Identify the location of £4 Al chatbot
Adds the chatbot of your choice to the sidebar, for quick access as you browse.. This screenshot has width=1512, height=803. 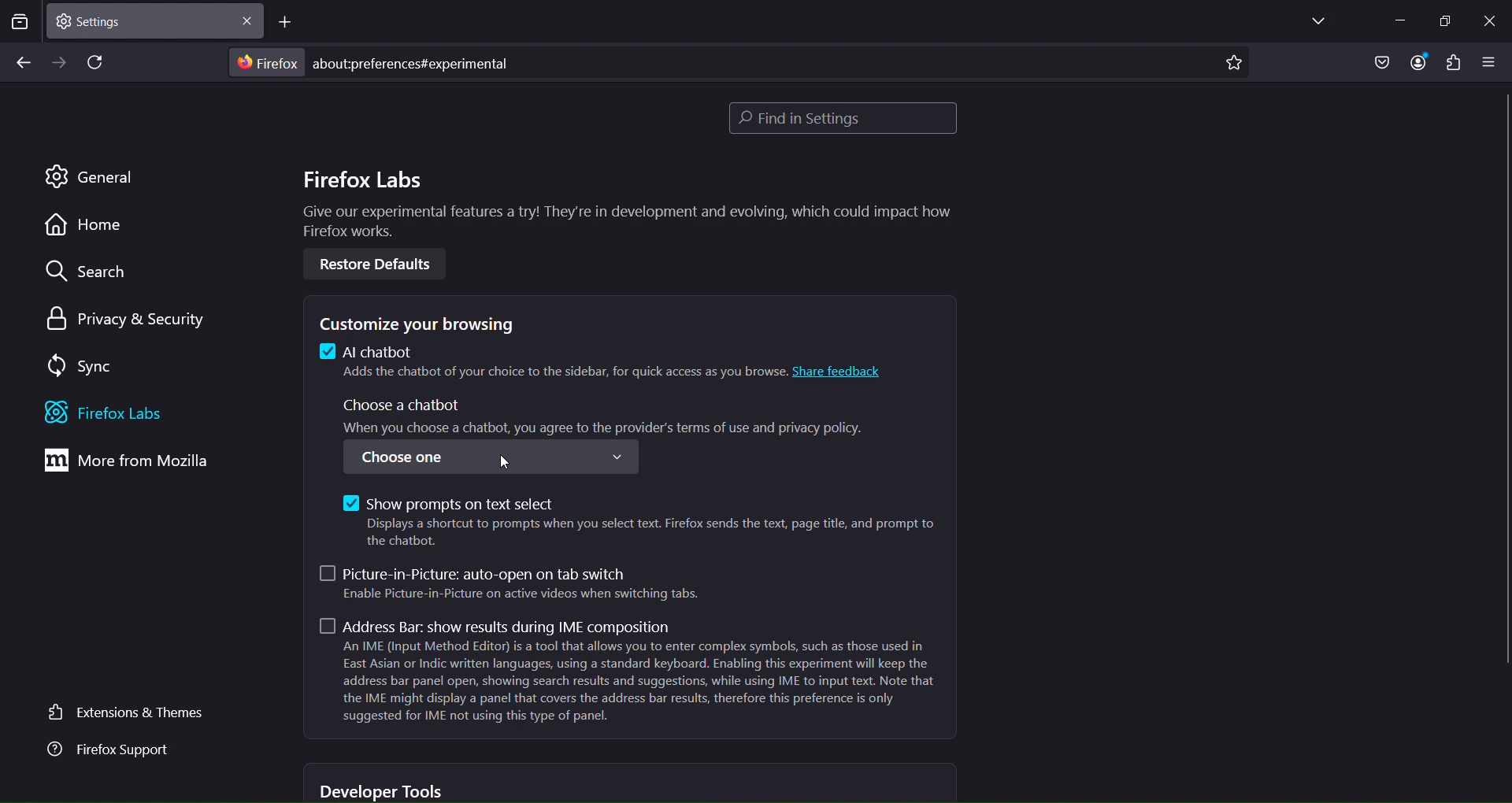
(550, 364).